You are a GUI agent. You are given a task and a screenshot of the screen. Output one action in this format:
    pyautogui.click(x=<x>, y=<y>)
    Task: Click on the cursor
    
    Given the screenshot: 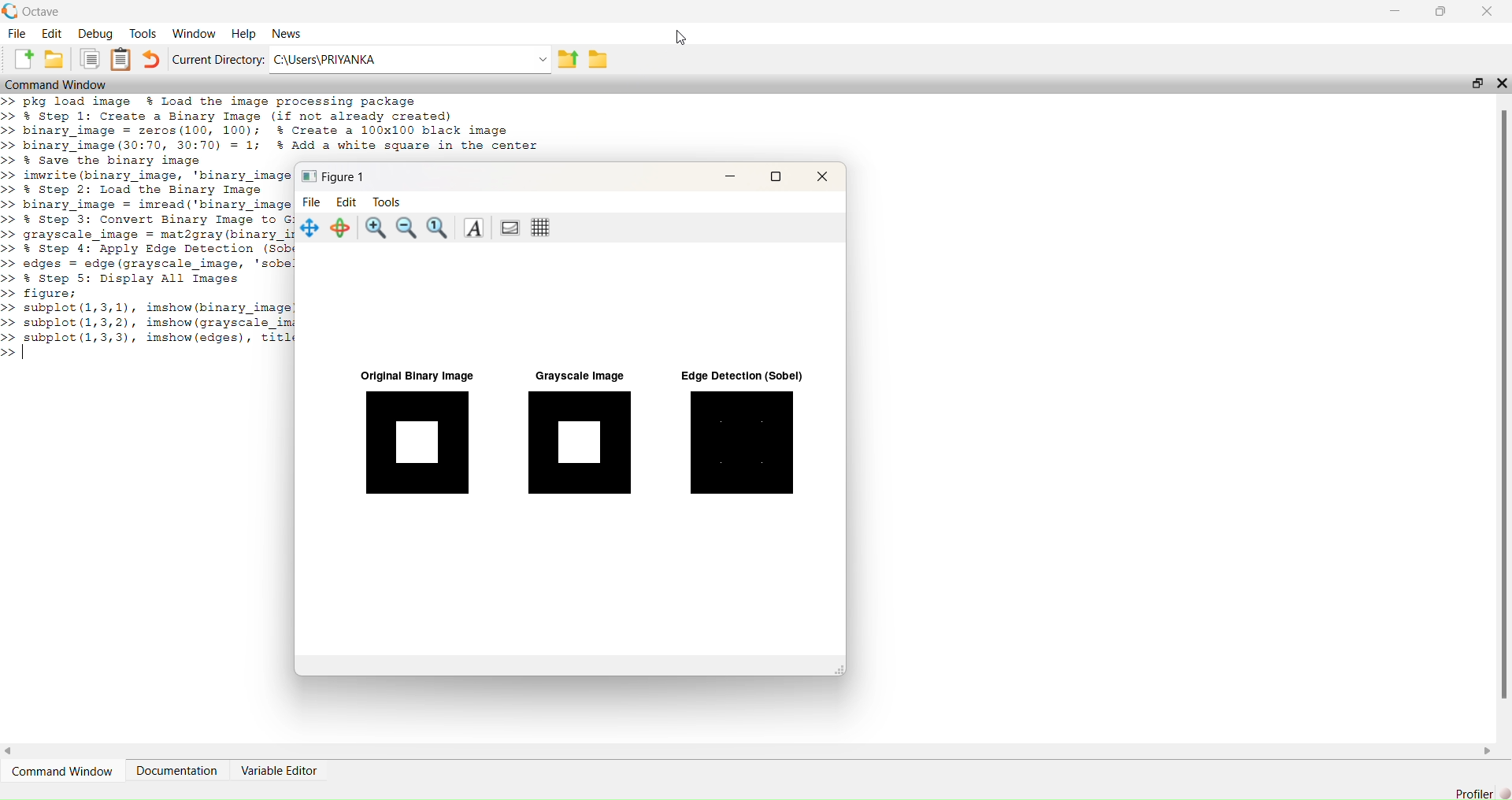 What is the action you would take?
    pyautogui.click(x=678, y=39)
    